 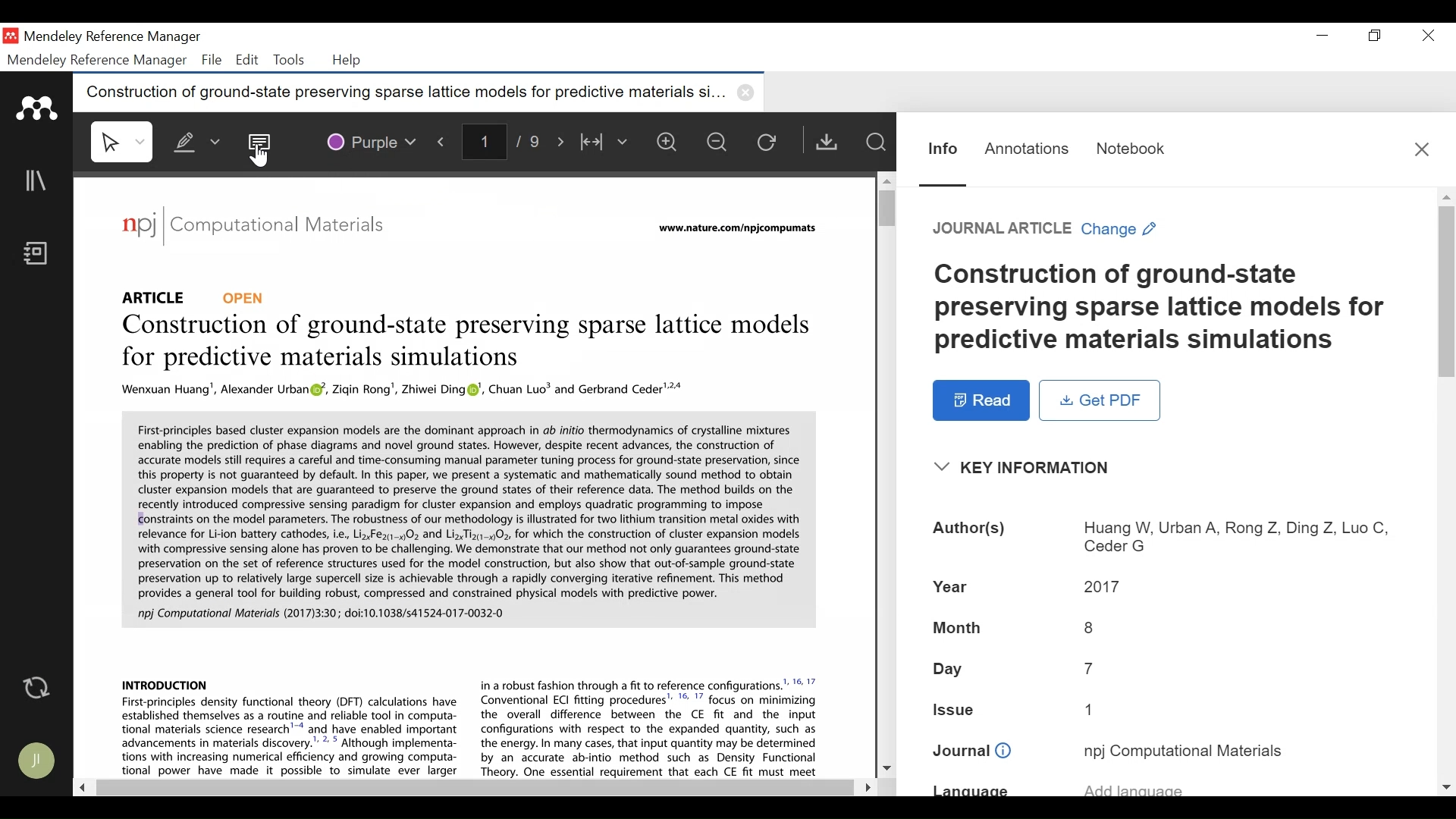 What do you see at coordinates (113, 37) in the screenshot?
I see `Mendeley Reference Manager` at bounding box center [113, 37].